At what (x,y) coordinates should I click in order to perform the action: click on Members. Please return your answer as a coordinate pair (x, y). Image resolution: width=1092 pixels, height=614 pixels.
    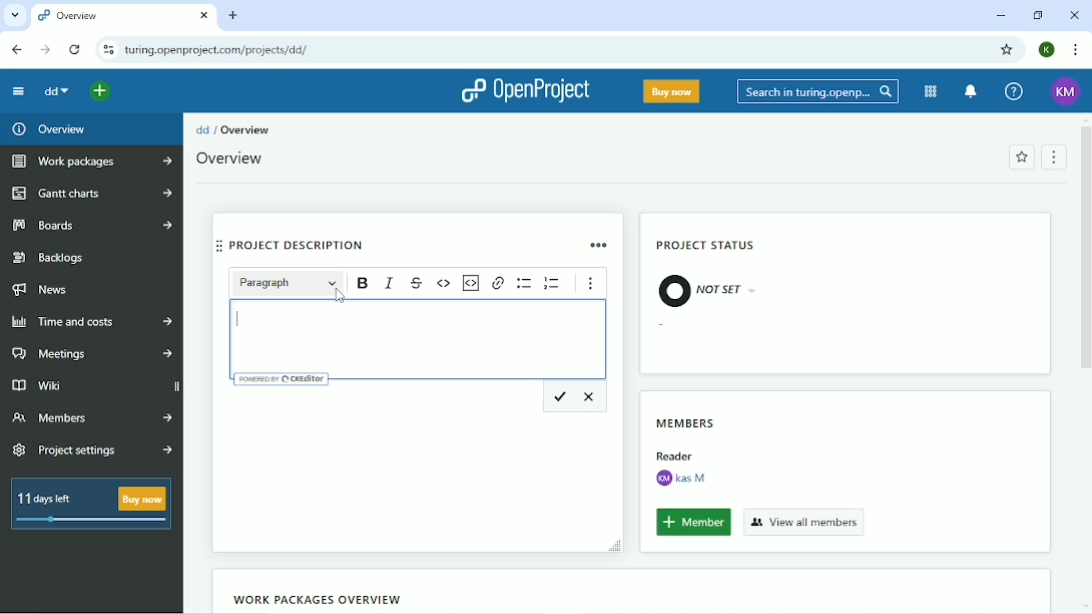
    Looking at the image, I should click on (686, 419).